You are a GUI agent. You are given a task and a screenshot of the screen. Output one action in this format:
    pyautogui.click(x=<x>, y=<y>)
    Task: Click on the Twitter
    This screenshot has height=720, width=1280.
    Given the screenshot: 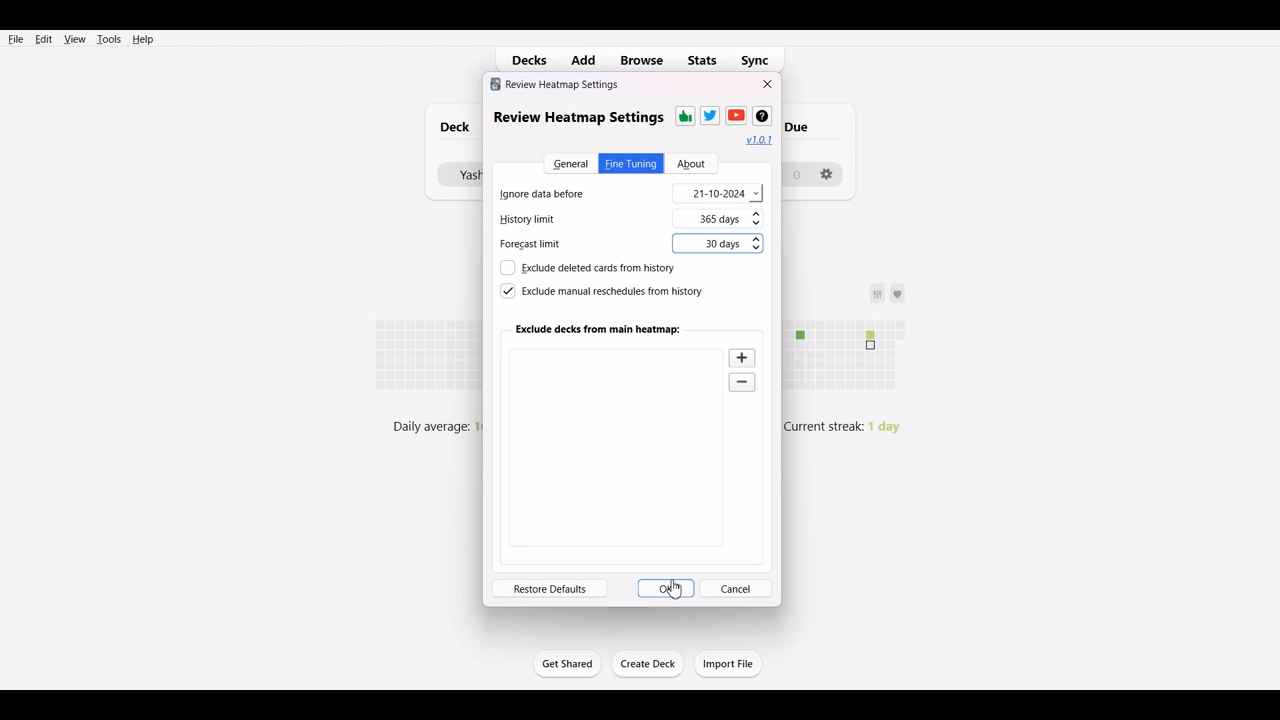 What is the action you would take?
    pyautogui.click(x=710, y=115)
    